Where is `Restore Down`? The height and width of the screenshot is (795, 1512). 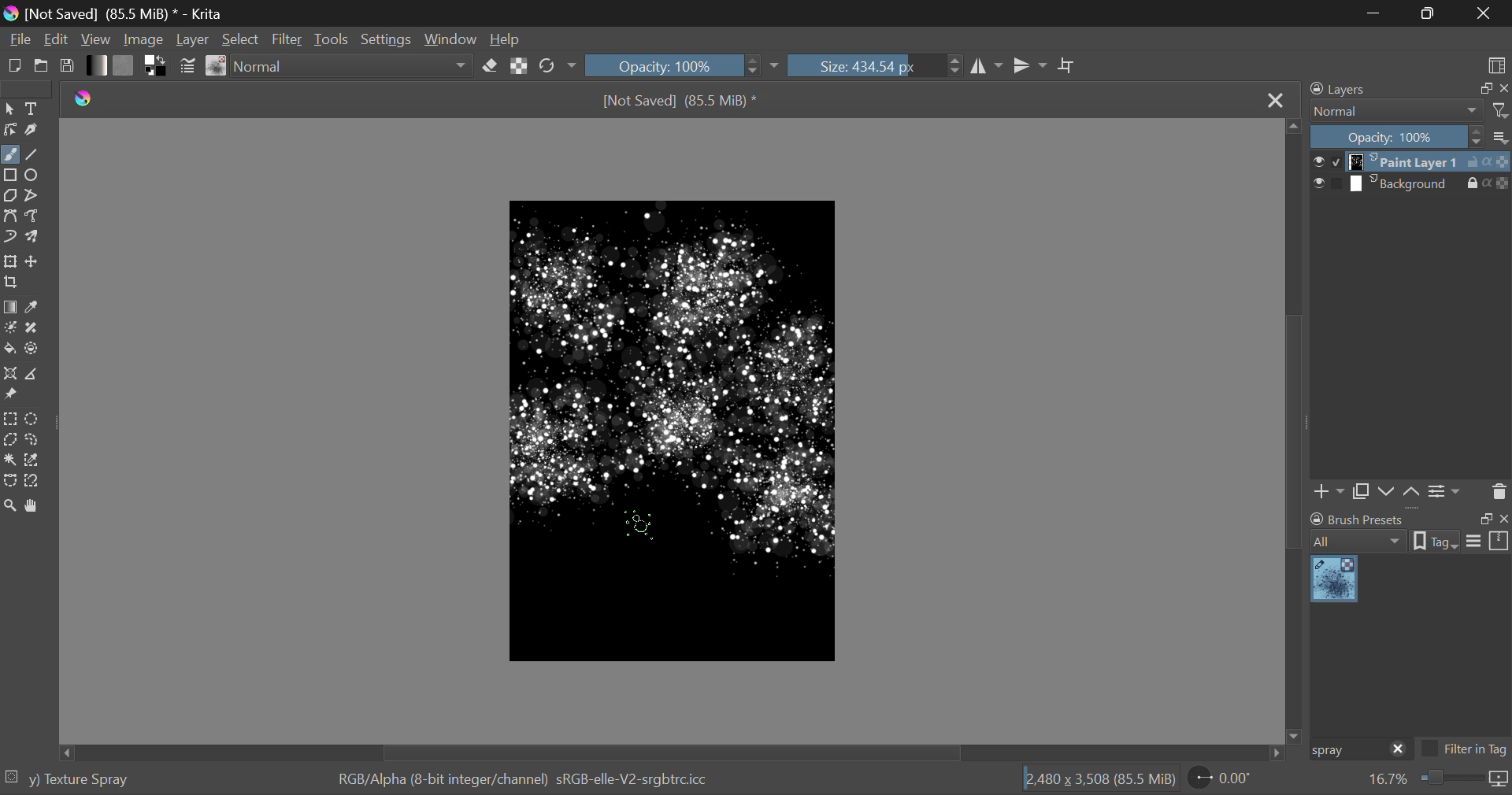
Restore Down is located at coordinates (1378, 13).